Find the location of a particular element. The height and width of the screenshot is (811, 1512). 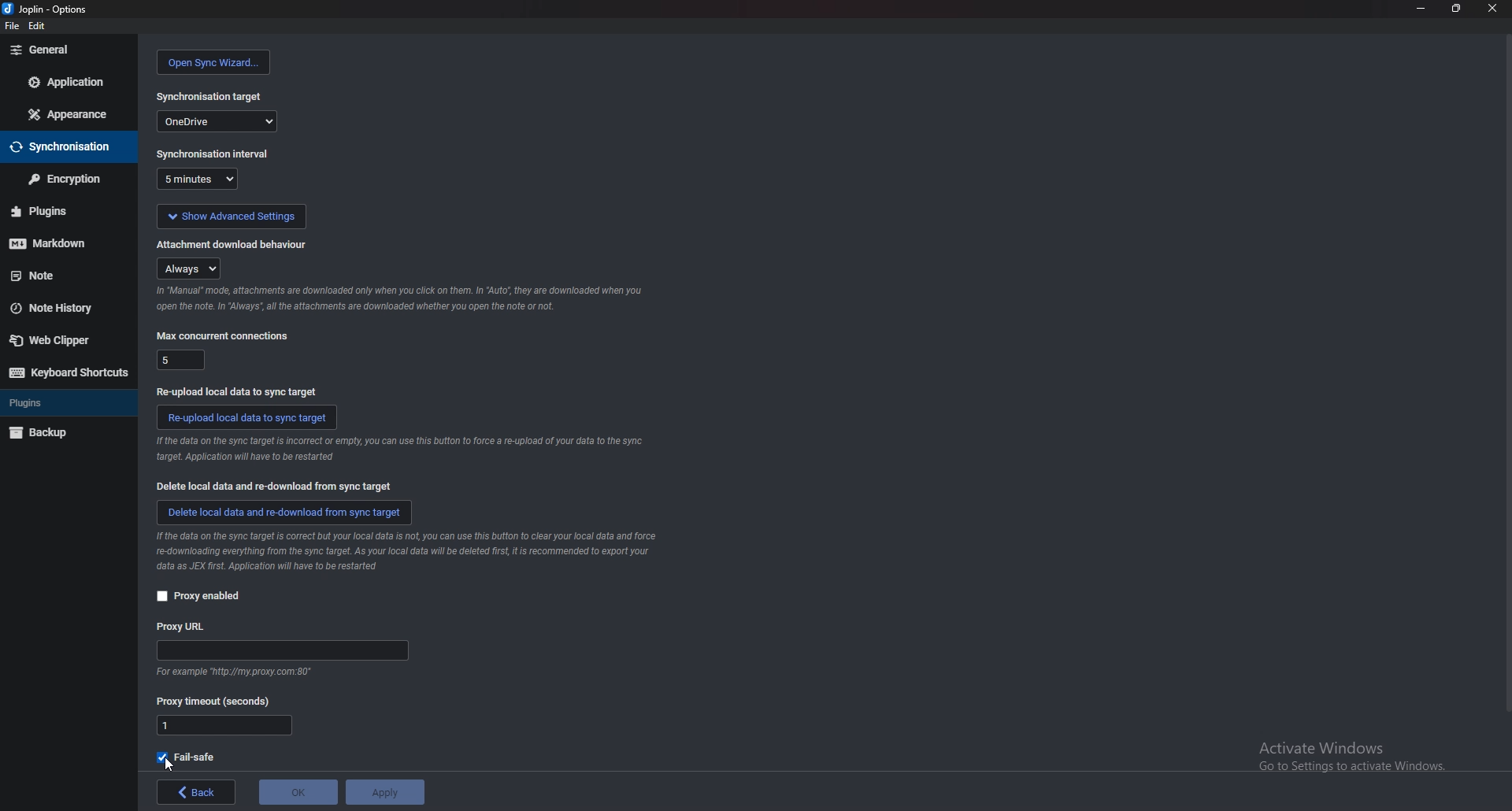

close is located at coordinates (1492, 9).